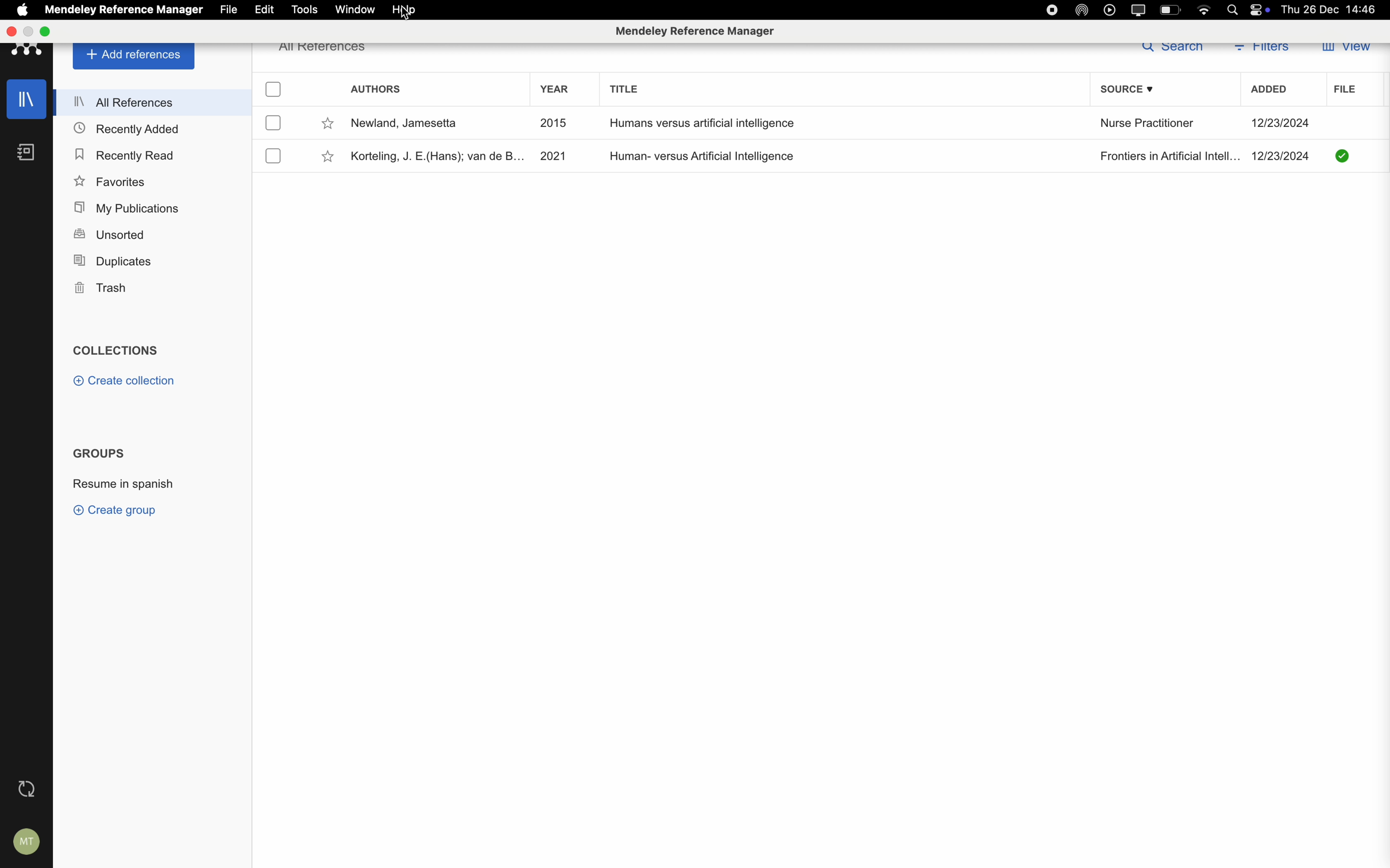 This screenshot has height=868, width=1390. What do you see at coordinates (114, 260) in the screenshot?
I see `Duplicates` at bounding box center [114, 260].